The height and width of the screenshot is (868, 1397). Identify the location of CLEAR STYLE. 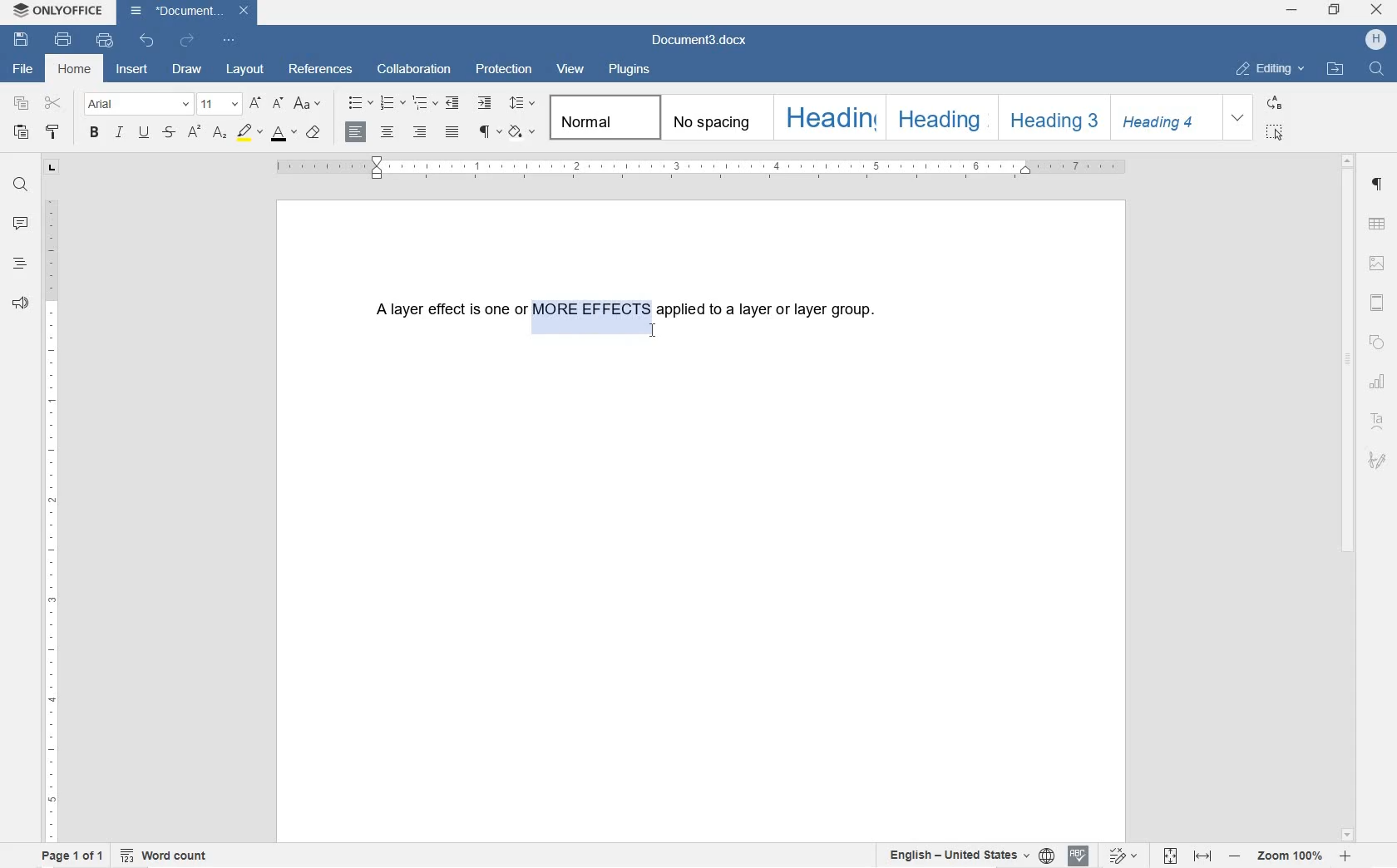
(315, 133).